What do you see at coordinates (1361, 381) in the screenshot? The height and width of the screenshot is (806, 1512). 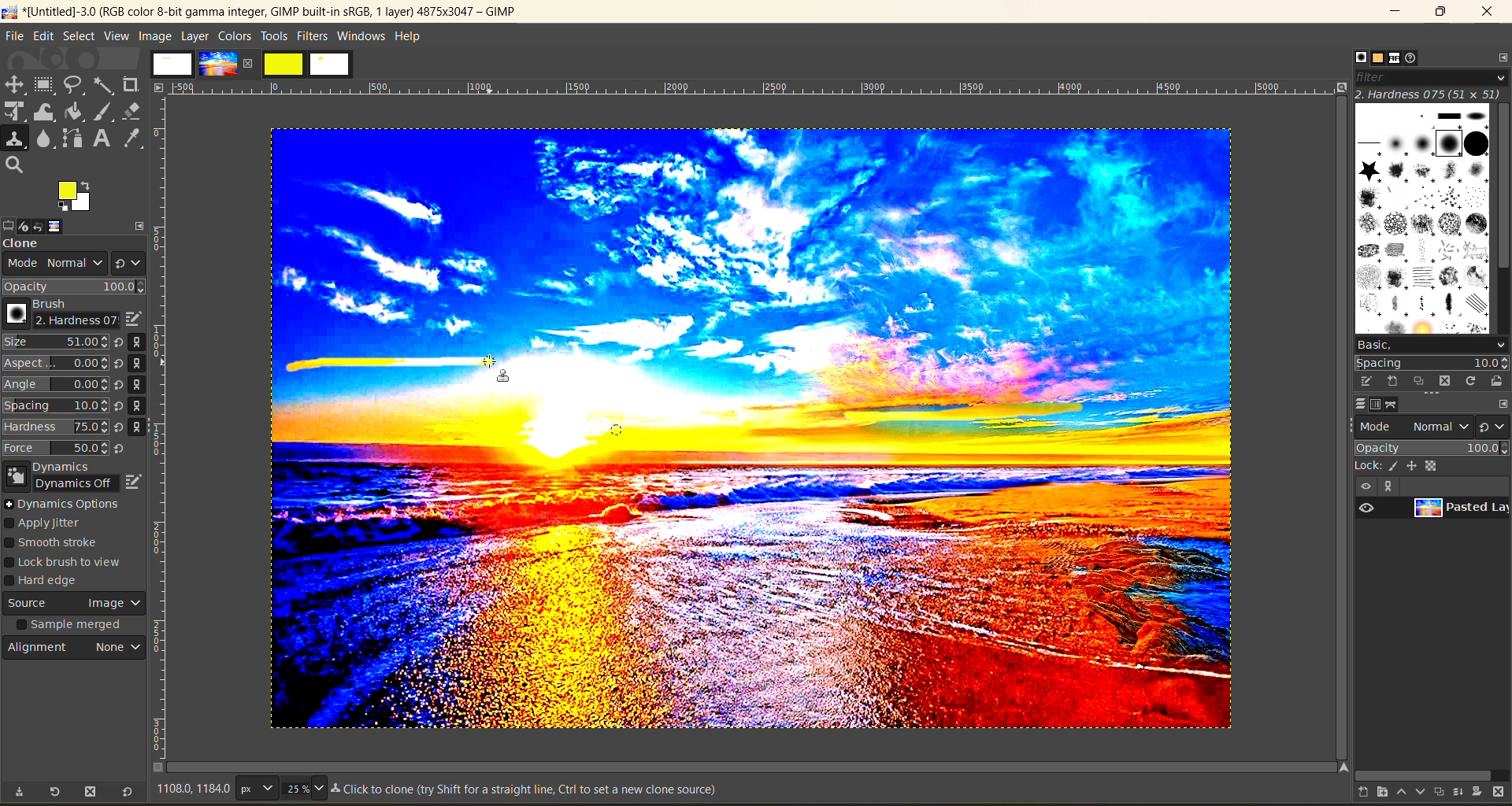 I see `edit this brush` at bounding box center [1361, 381].